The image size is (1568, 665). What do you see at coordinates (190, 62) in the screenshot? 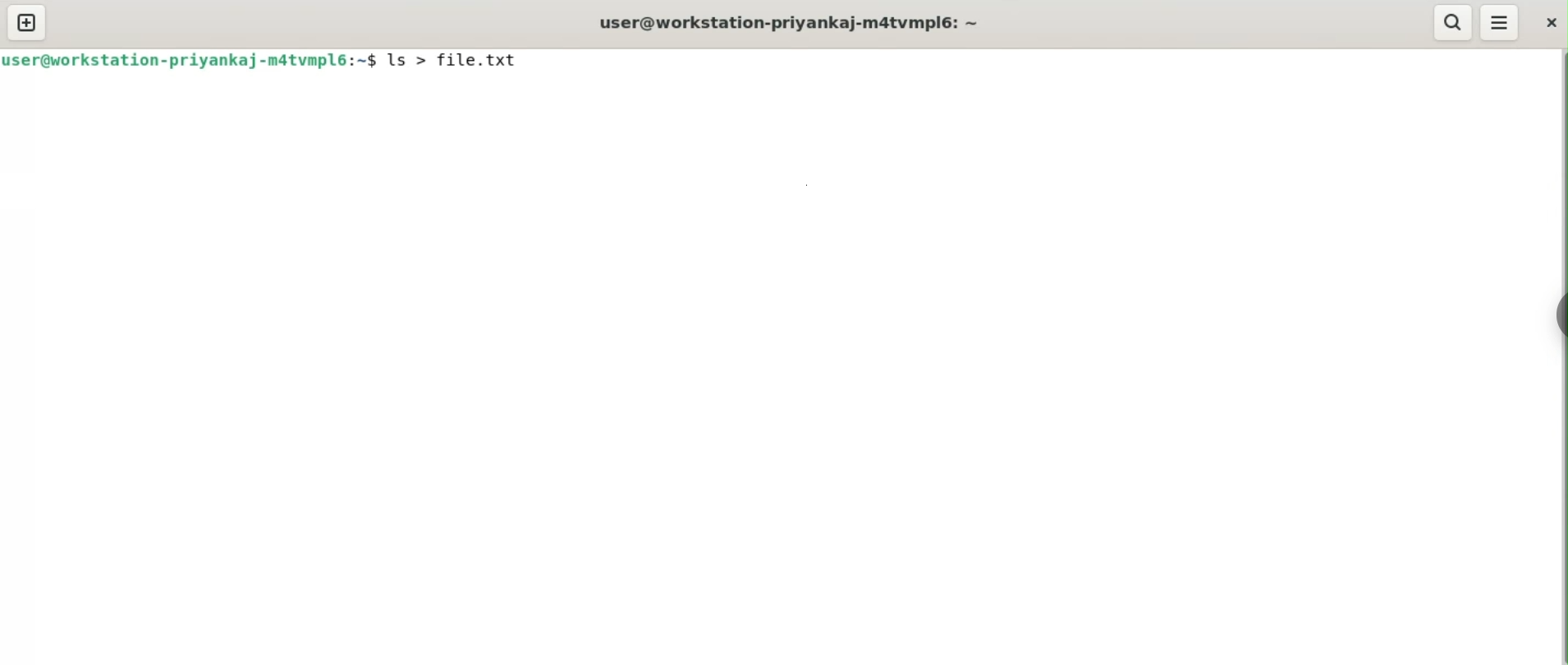
I see `user@workstation-priyankaj-m4tvmpl6: ~$` at bounding box center [190, 62].